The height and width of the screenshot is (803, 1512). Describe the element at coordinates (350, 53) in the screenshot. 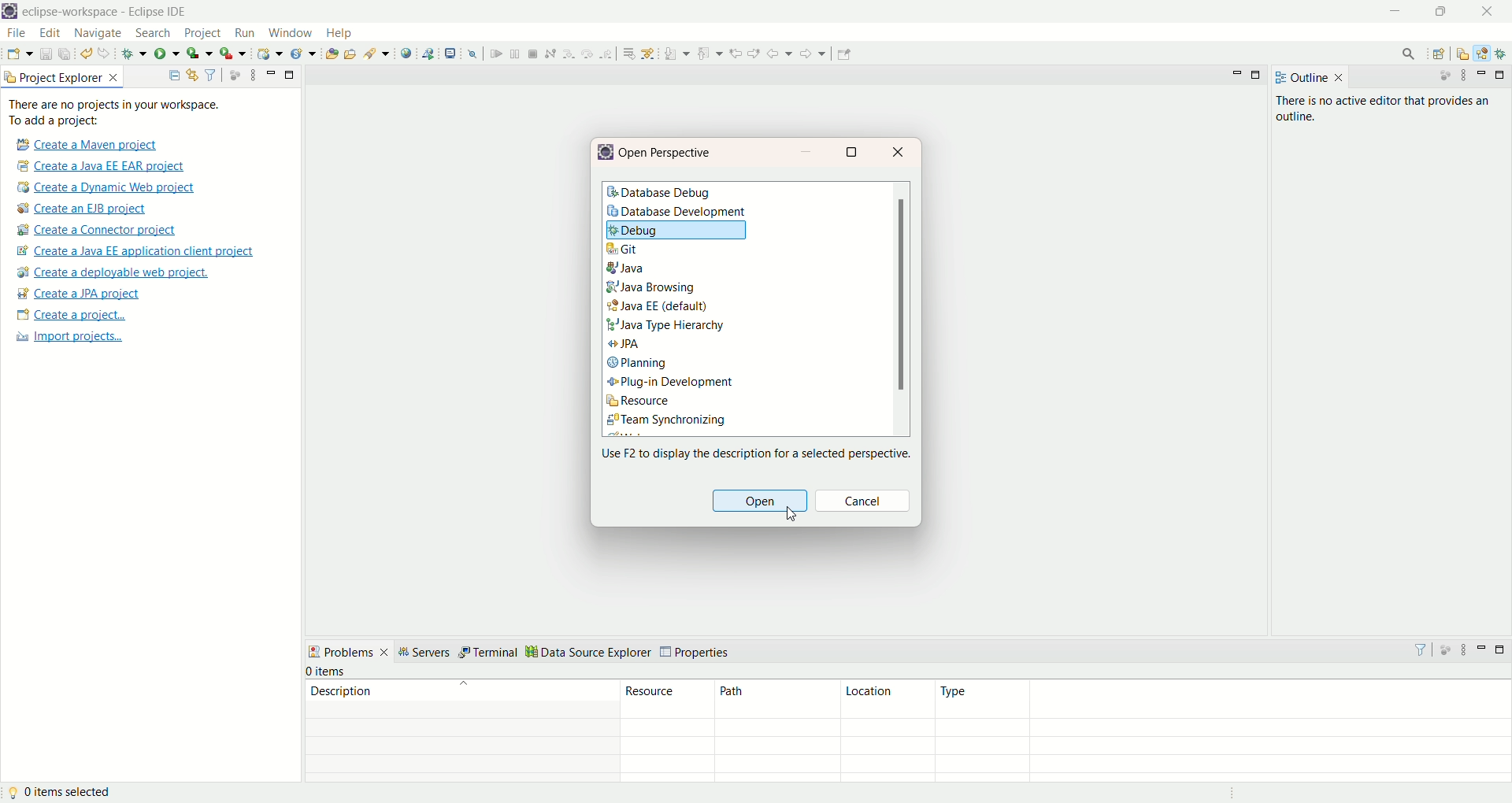

I see `open task` at that location.